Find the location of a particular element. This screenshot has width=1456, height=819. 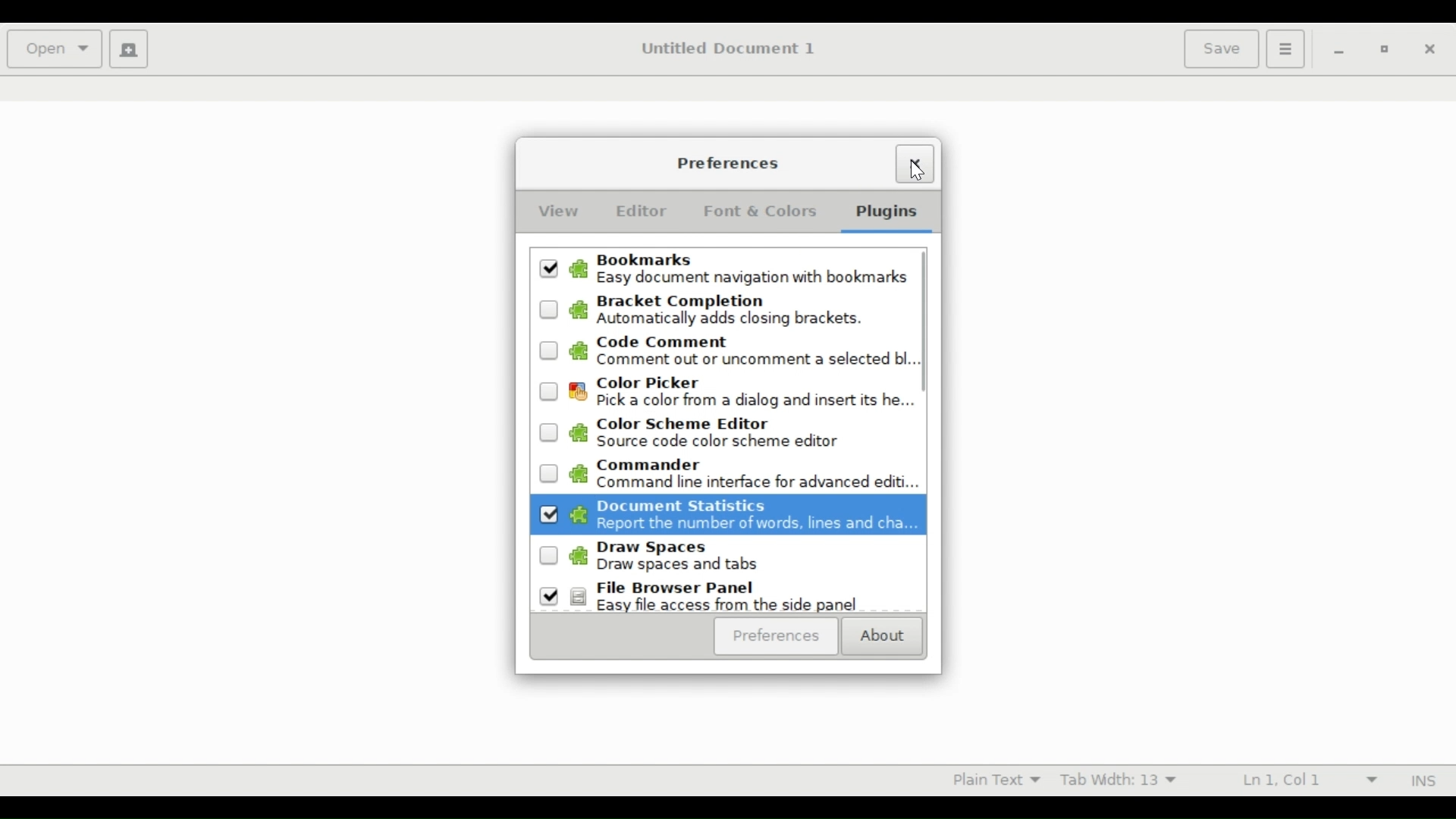

Create new document is located at coordinates (130, 49).